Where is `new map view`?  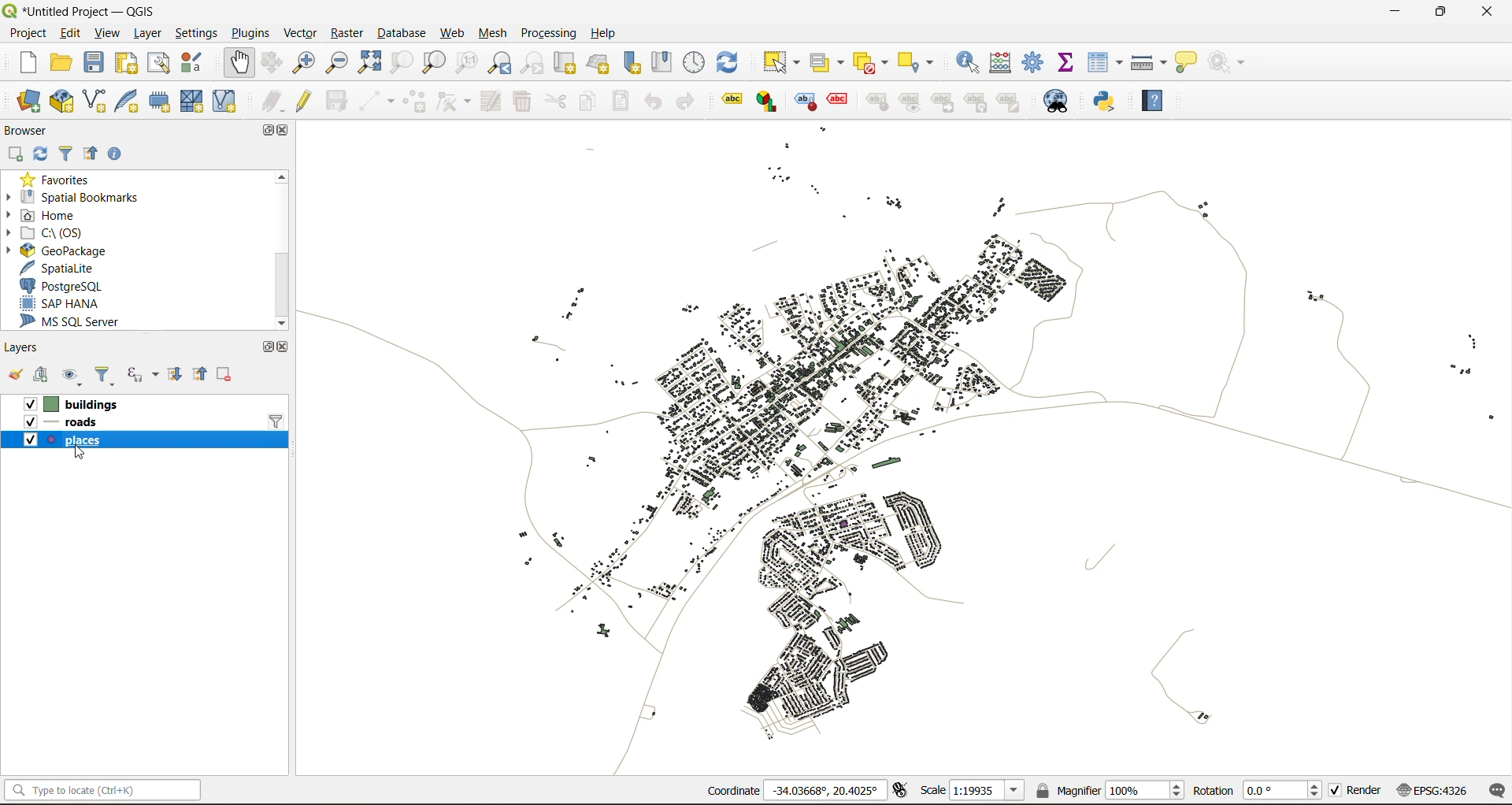 new map view is located at coordinates (566, 63).